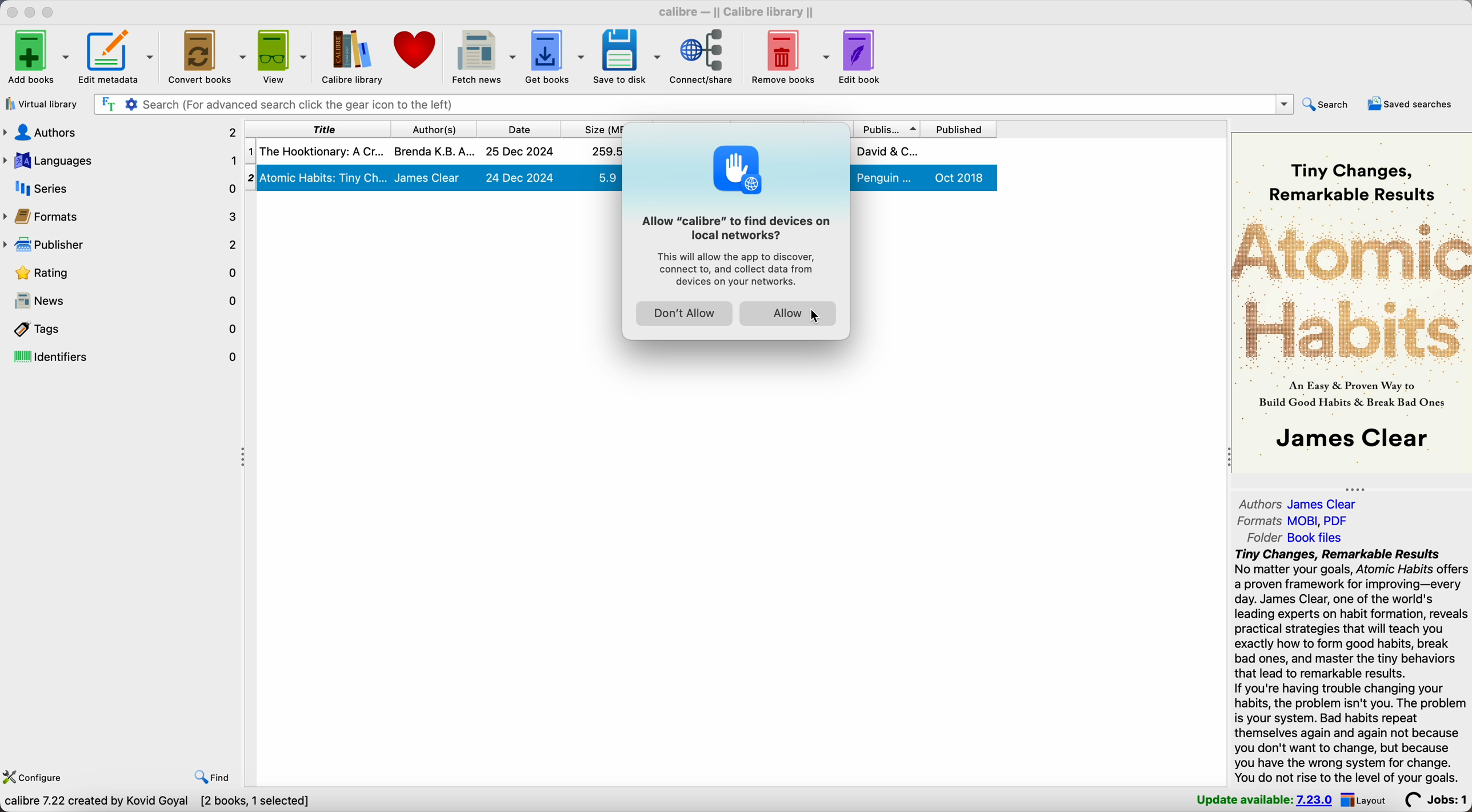 This screenshot has height=812, width=1472. What do you see at coordinates (157, 802) in the screenshot?
I see `Calibre 7.22 created by Kovid Goyal [2 books, 1 selected]` at bounding box center [157, 802].